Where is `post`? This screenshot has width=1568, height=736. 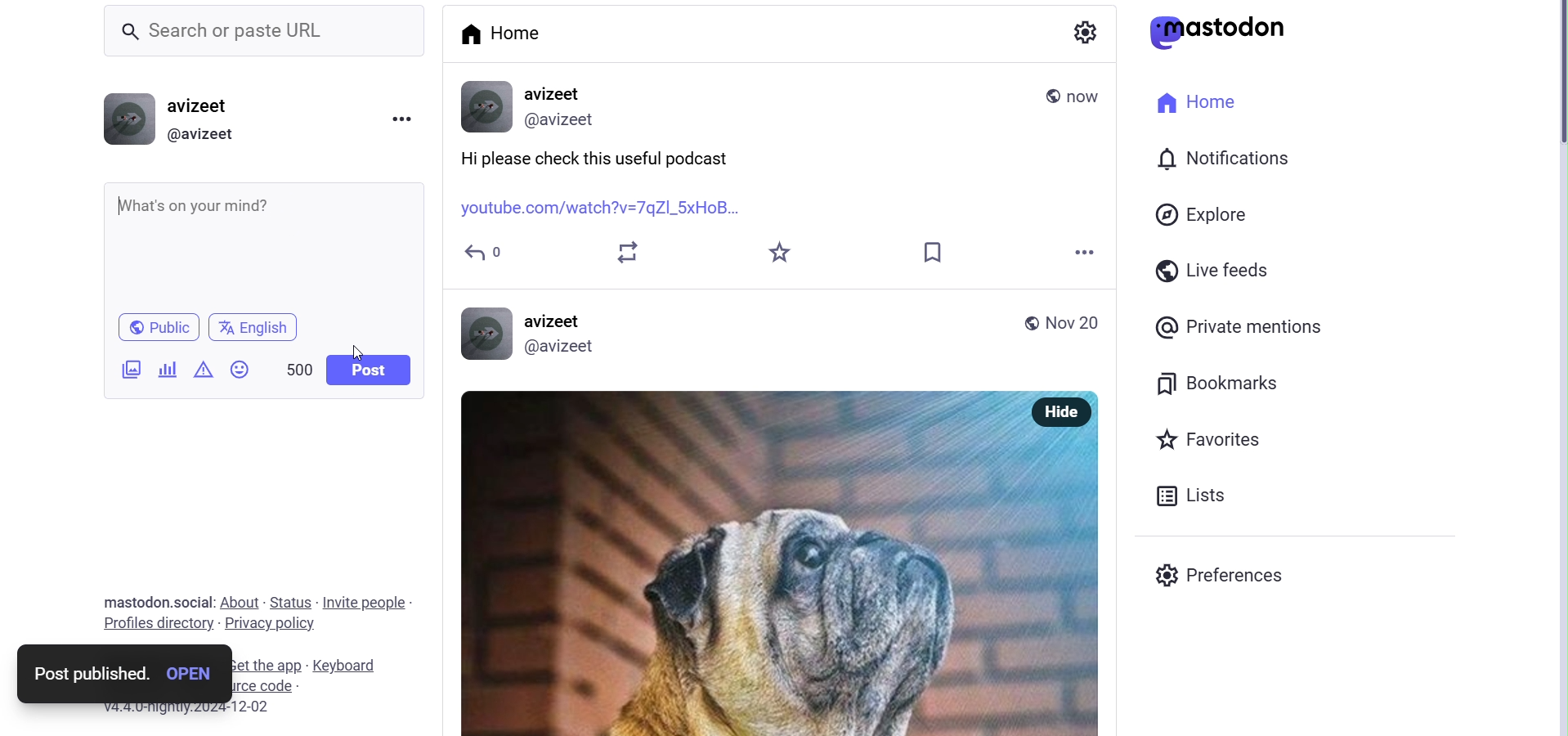
post is located at coordinates (368, 370).